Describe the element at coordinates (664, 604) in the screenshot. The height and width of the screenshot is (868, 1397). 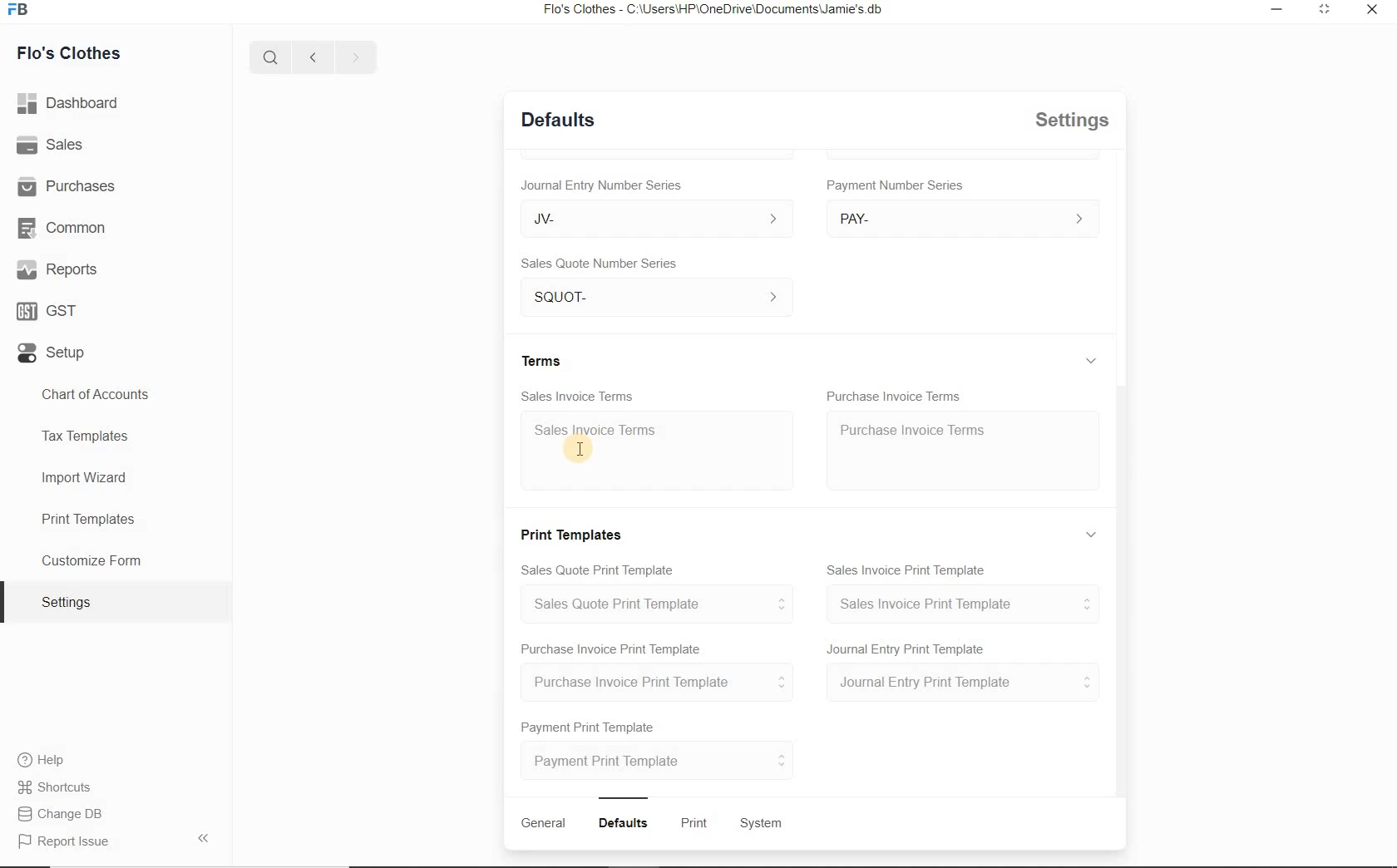
I see `Sales Quote Print Template` at that location.